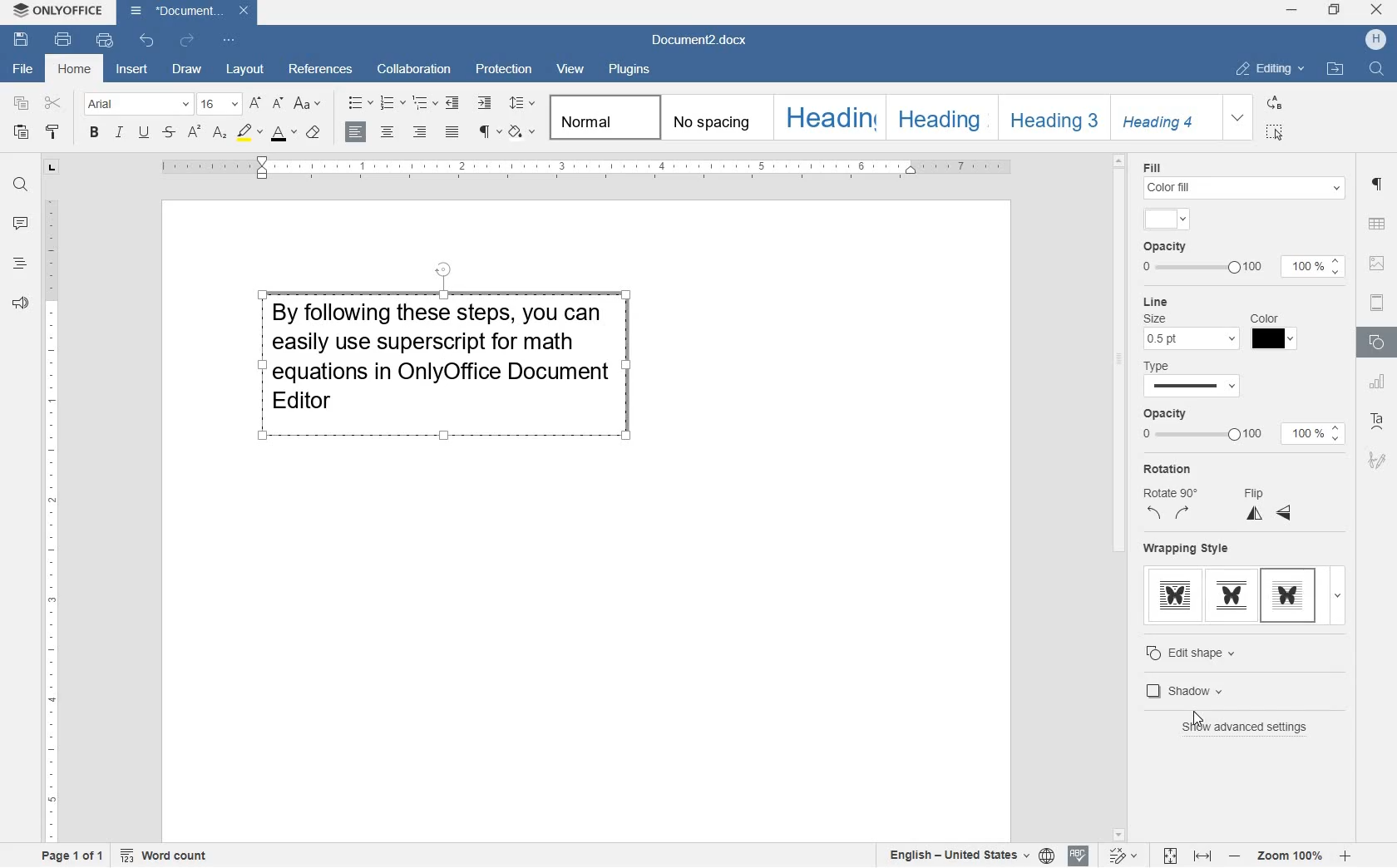  Describe the element at coordinates (245, 70) in the screenshot. I see `layout` at that location.